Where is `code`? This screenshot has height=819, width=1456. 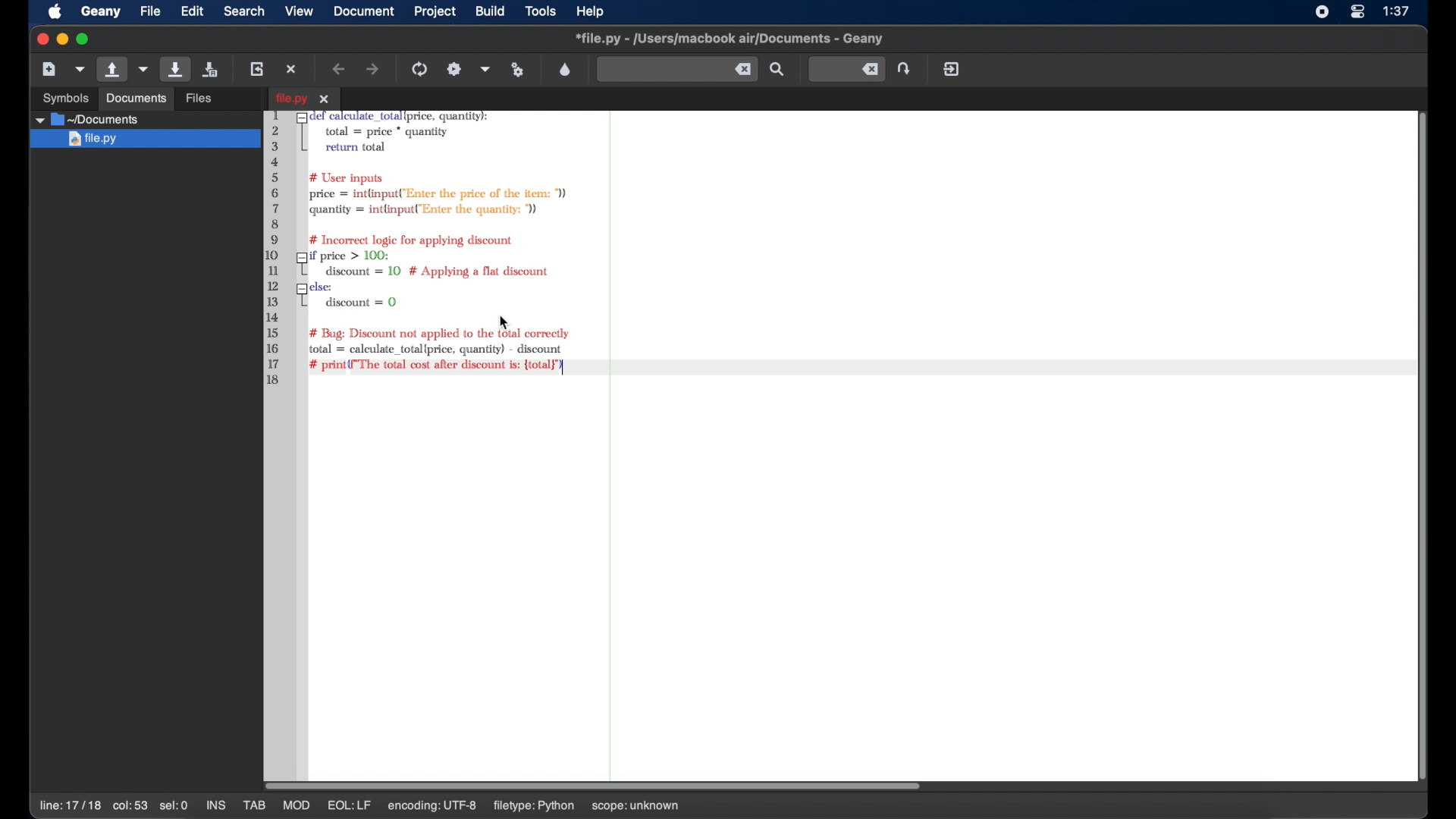 code is located at coordinates (449, 232).